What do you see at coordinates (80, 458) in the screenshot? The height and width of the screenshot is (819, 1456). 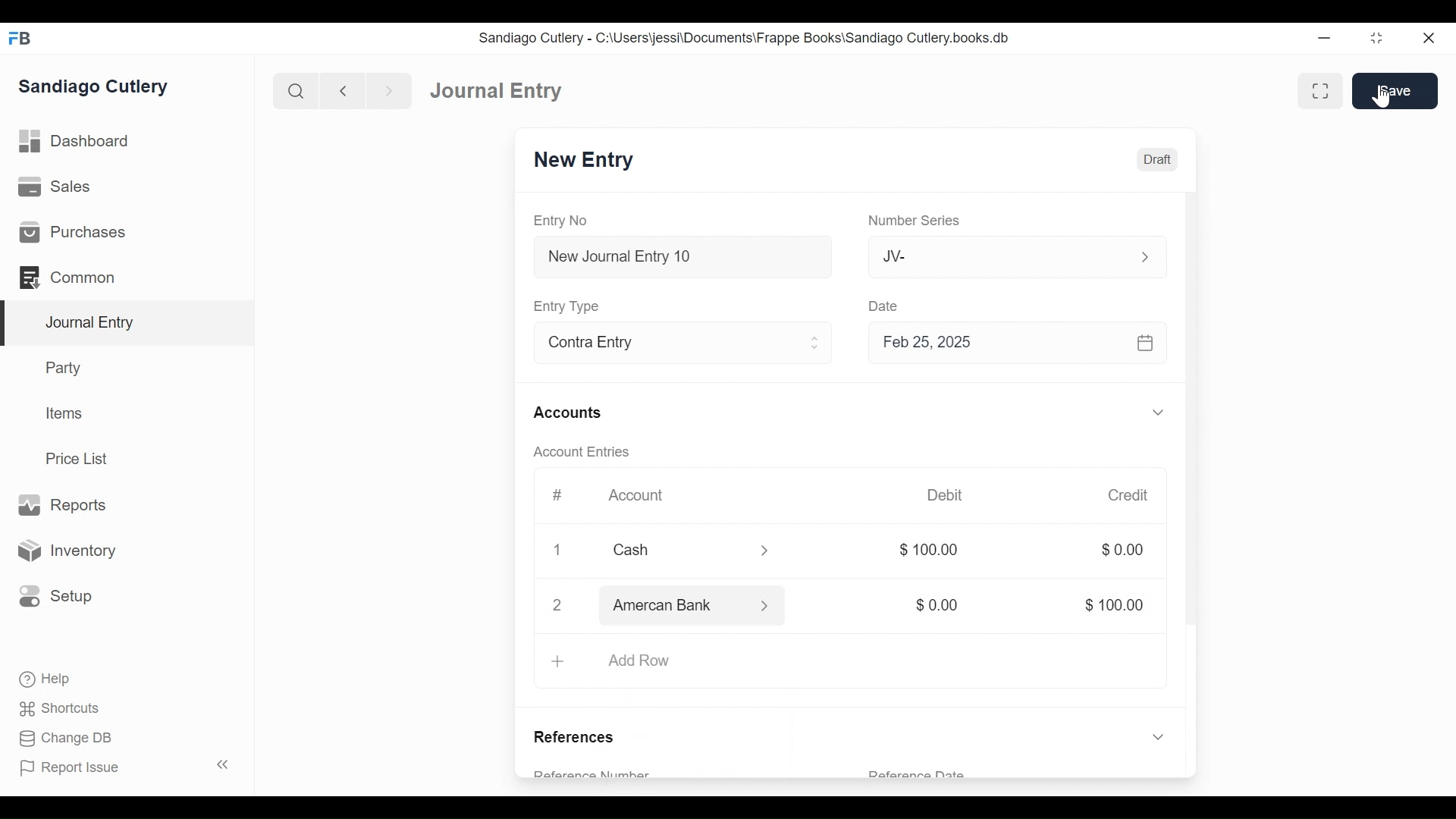 I see `Price List` at bounding box center [80, 458].